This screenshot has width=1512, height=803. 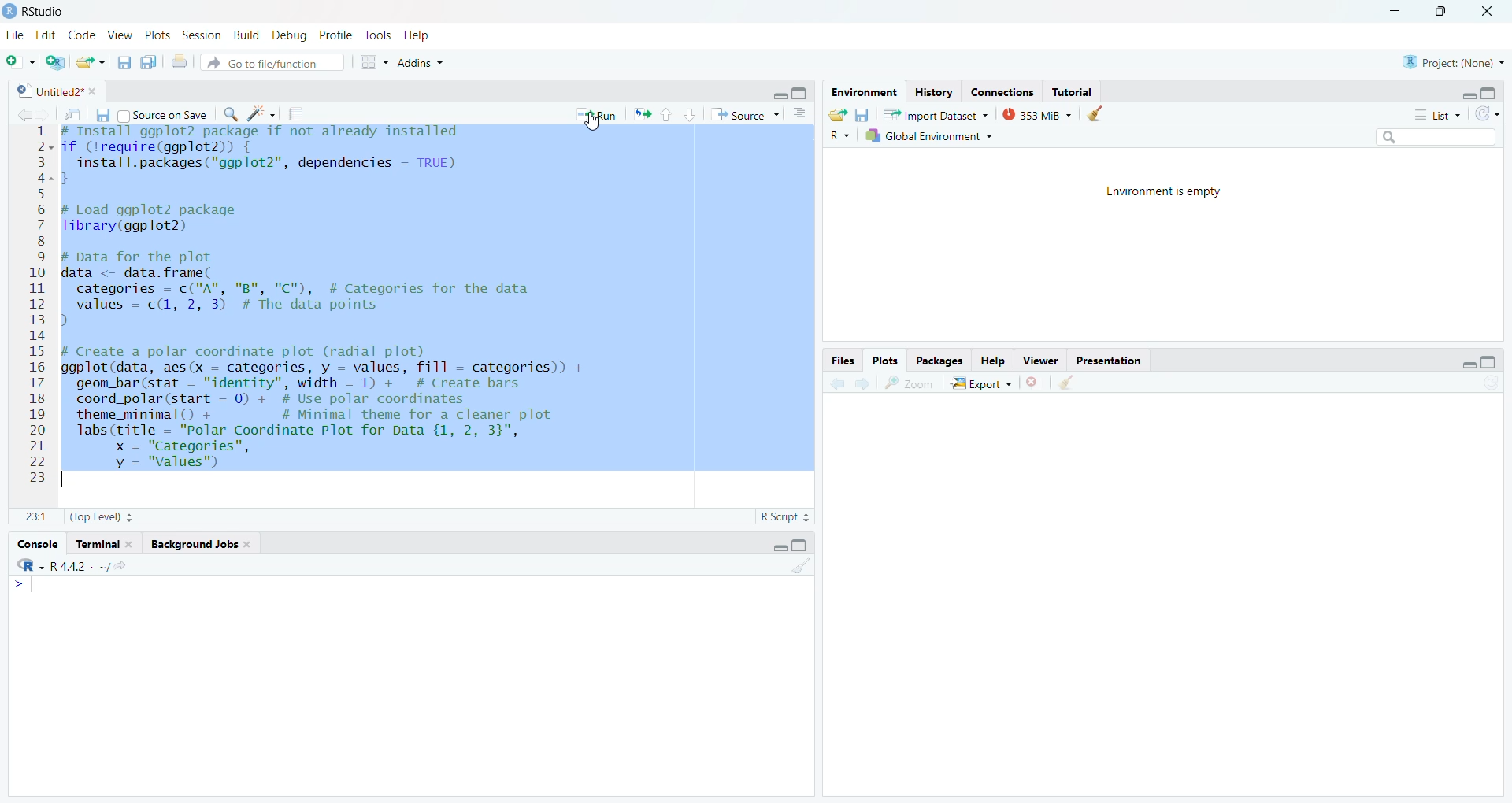 I want to click on Global Environment ~, so click(x=934, y=139).